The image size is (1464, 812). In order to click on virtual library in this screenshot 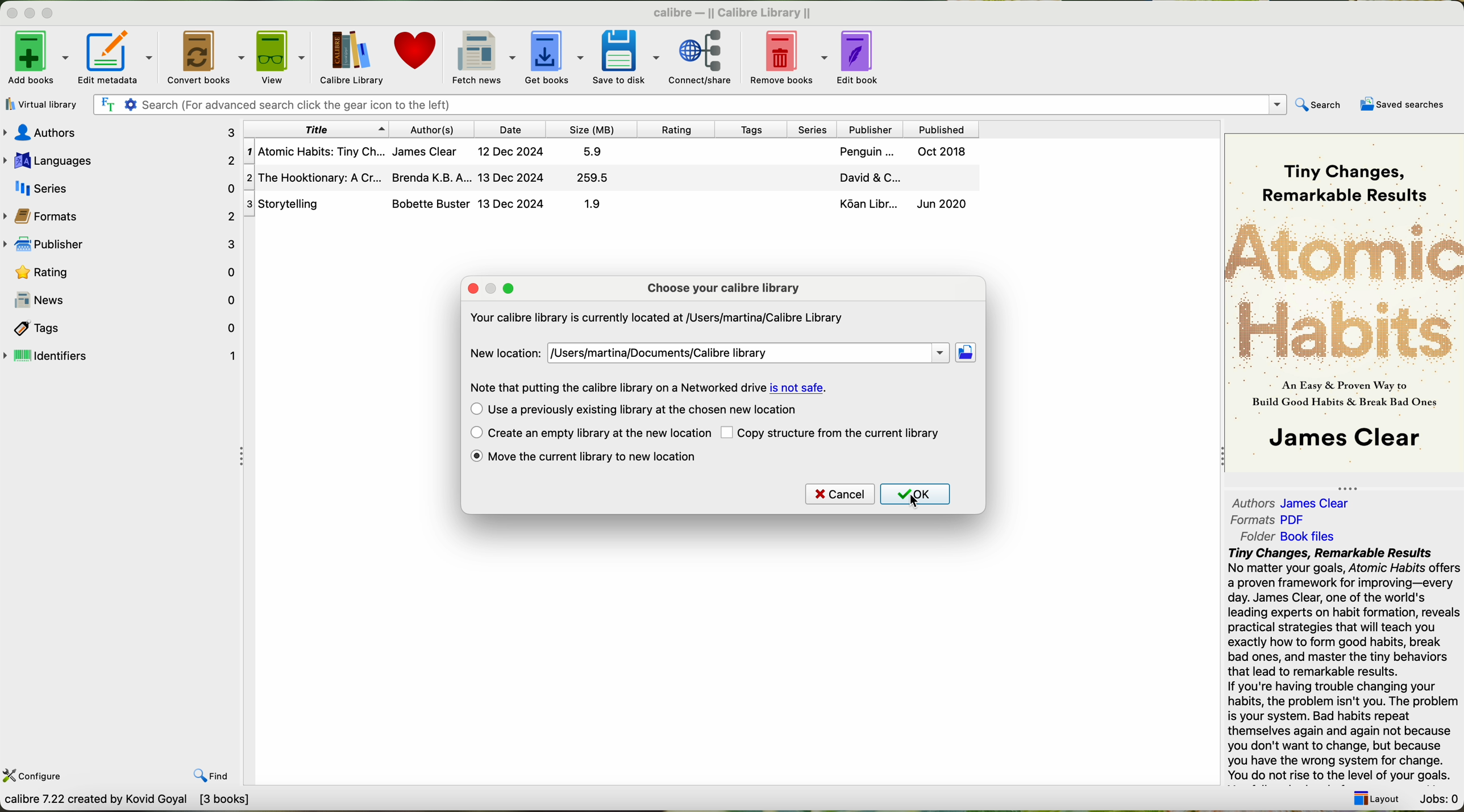, I will do `click(43, 105)`.